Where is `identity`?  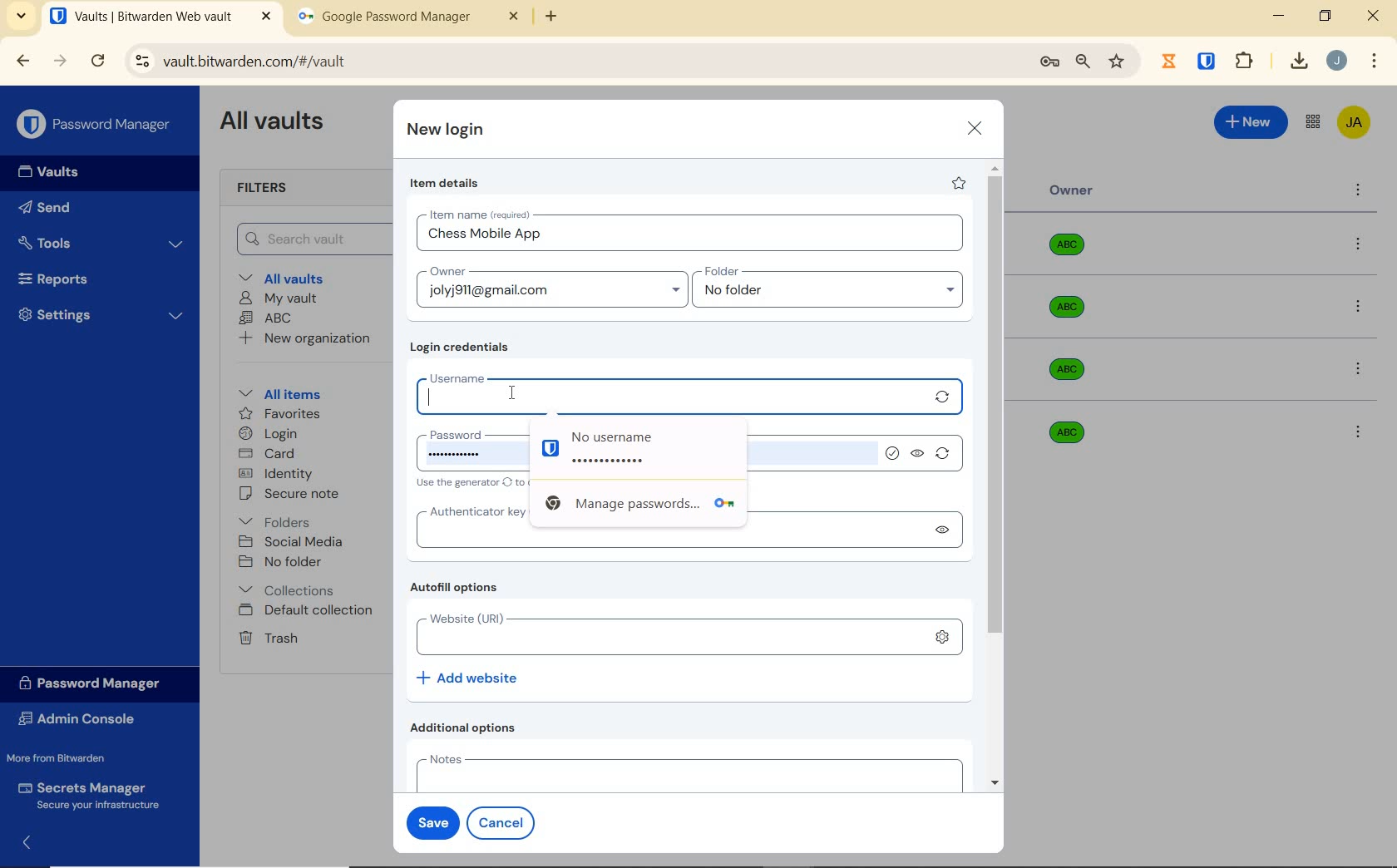 identity is located at coordinates (276, 474).